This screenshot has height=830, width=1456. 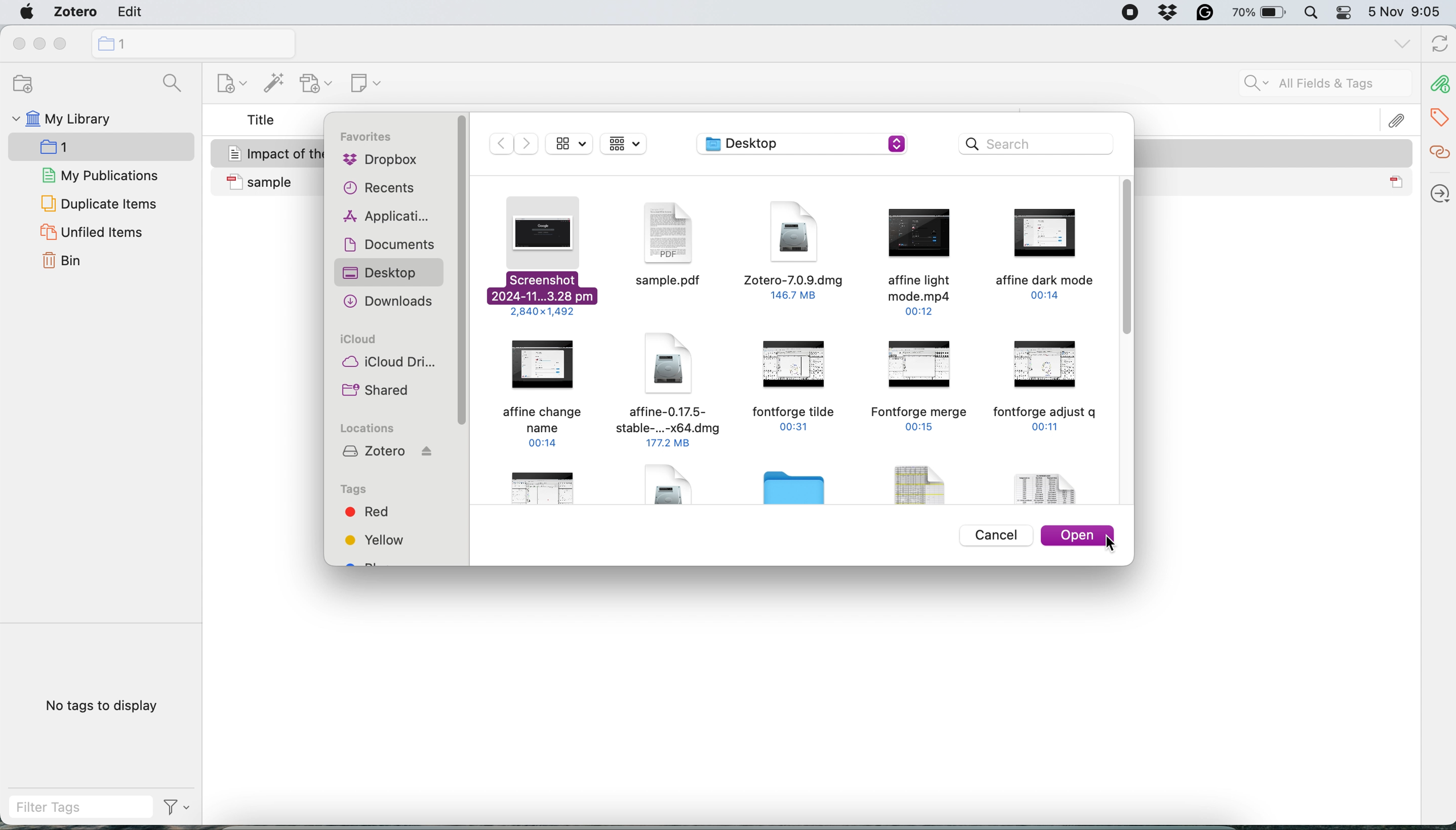 What do you see at coordinates (1038, 146) in the screenshot?
I see `search` at bounding box center [1038, 146].